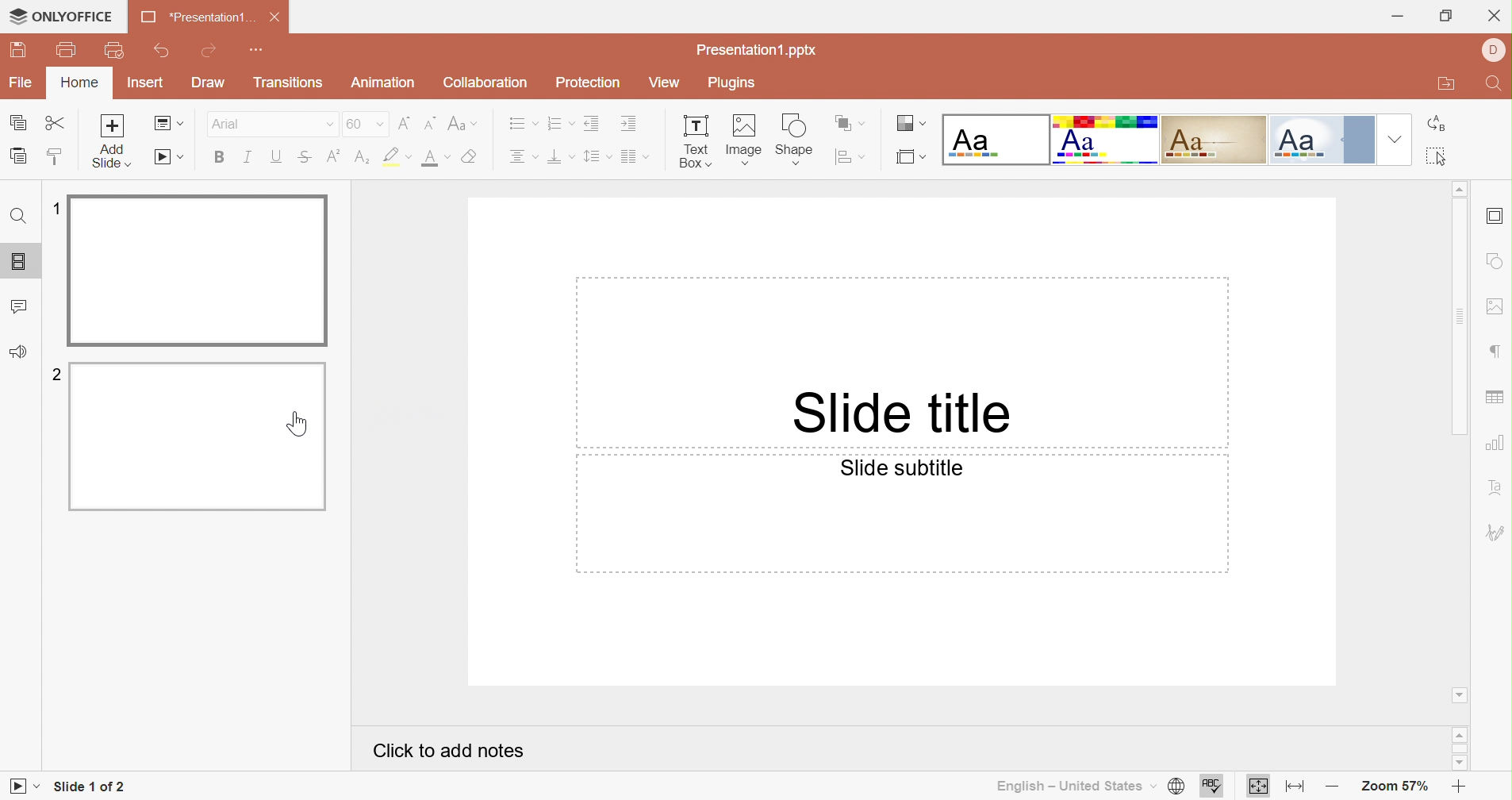  I want to click on Decrement font size, so click(428, 121).